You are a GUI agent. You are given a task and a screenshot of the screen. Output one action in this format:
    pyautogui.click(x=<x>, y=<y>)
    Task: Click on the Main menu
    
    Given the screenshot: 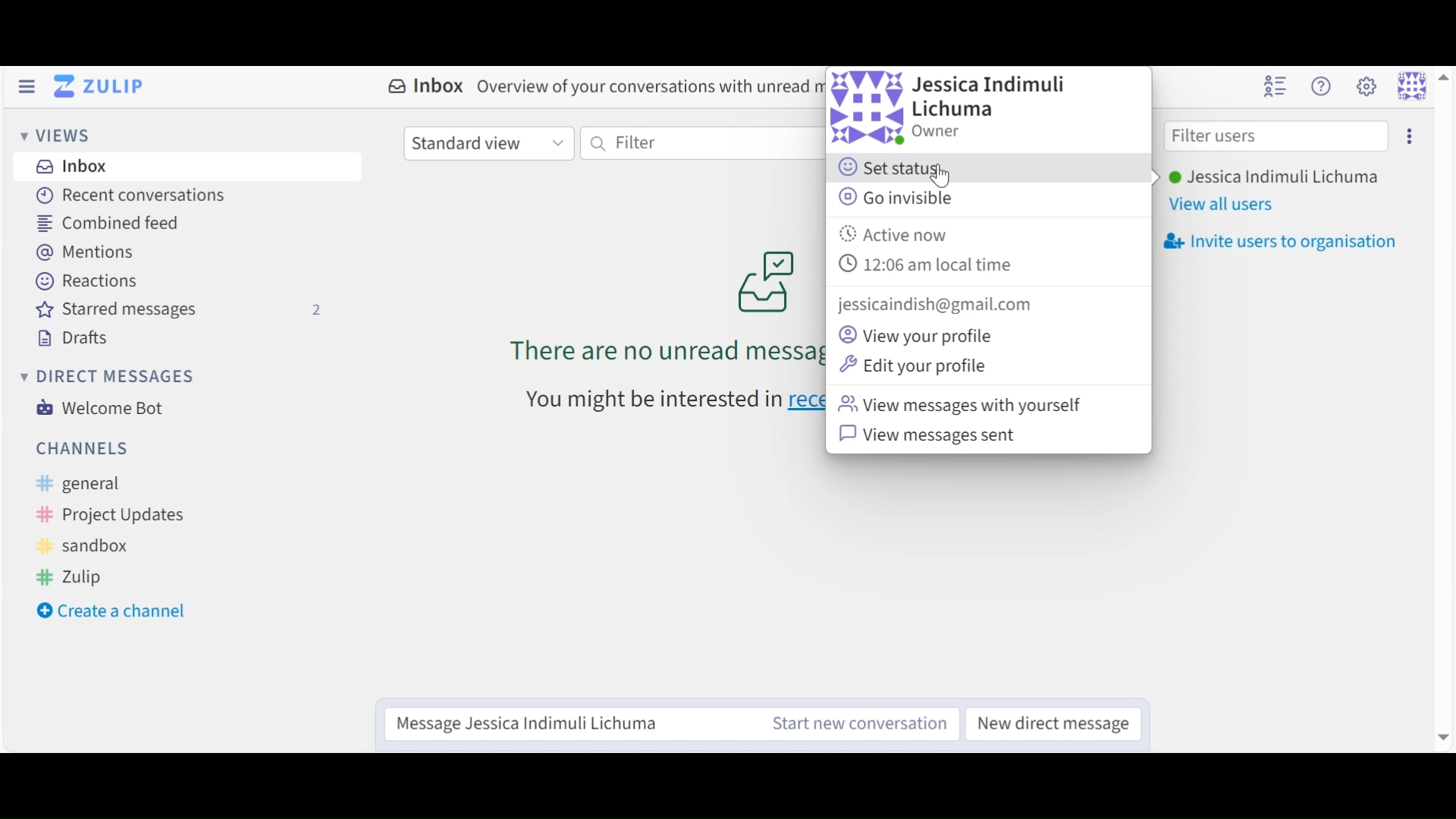 What is the action you would take?
    pyautogui.click(x=1366, y=86)
    